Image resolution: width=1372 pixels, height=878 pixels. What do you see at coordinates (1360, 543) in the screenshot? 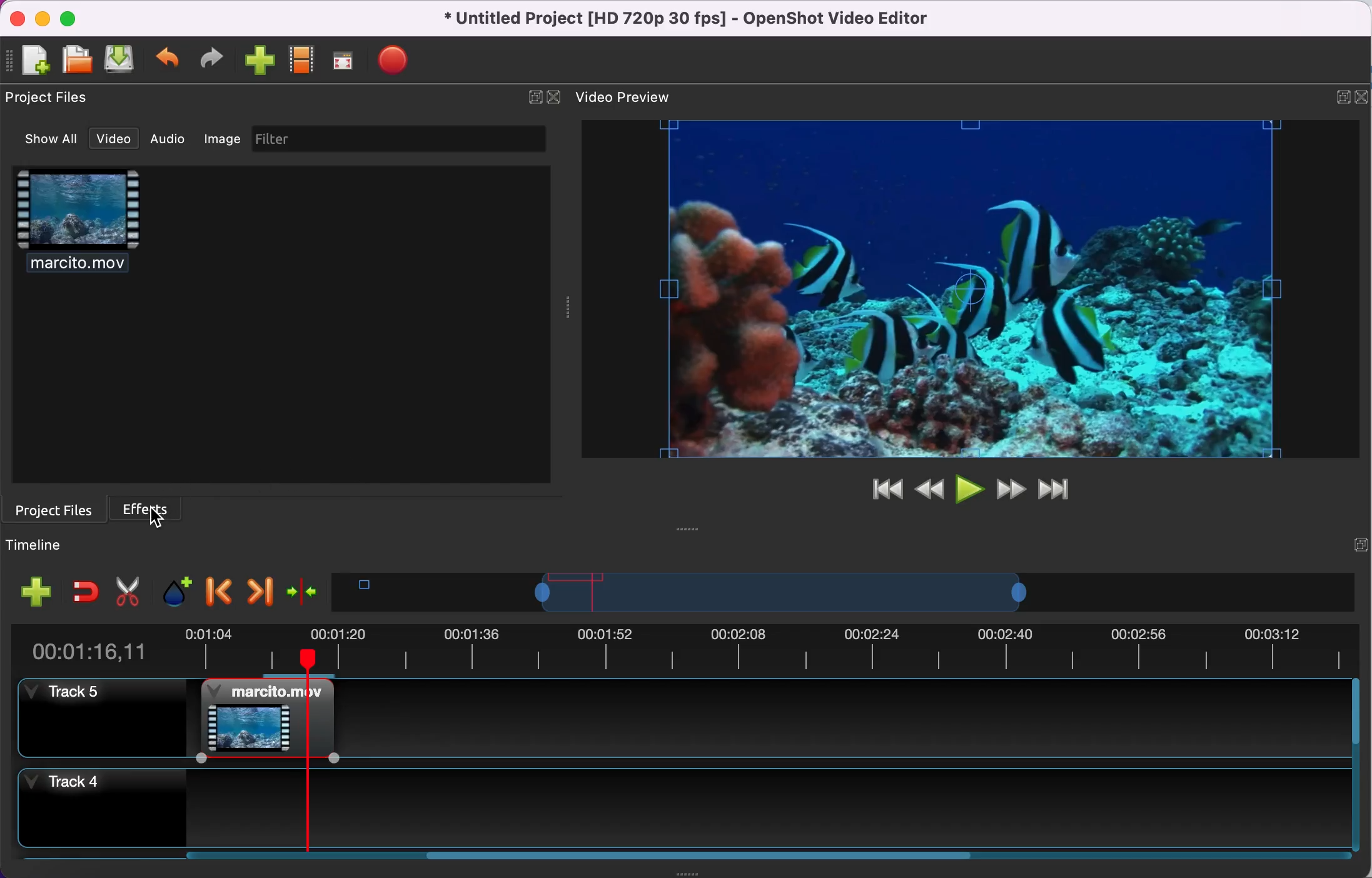
I see `expand/hide` at bounding box center [1360, 543].